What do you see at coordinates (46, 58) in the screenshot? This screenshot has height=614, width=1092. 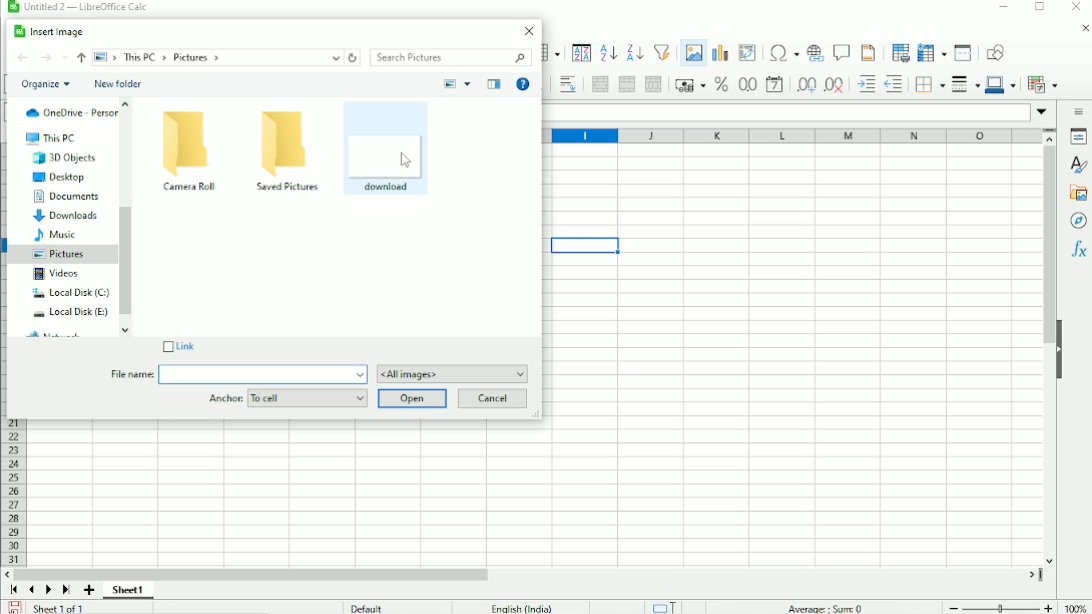 I see `Forward` at bounding box center [46, 58].